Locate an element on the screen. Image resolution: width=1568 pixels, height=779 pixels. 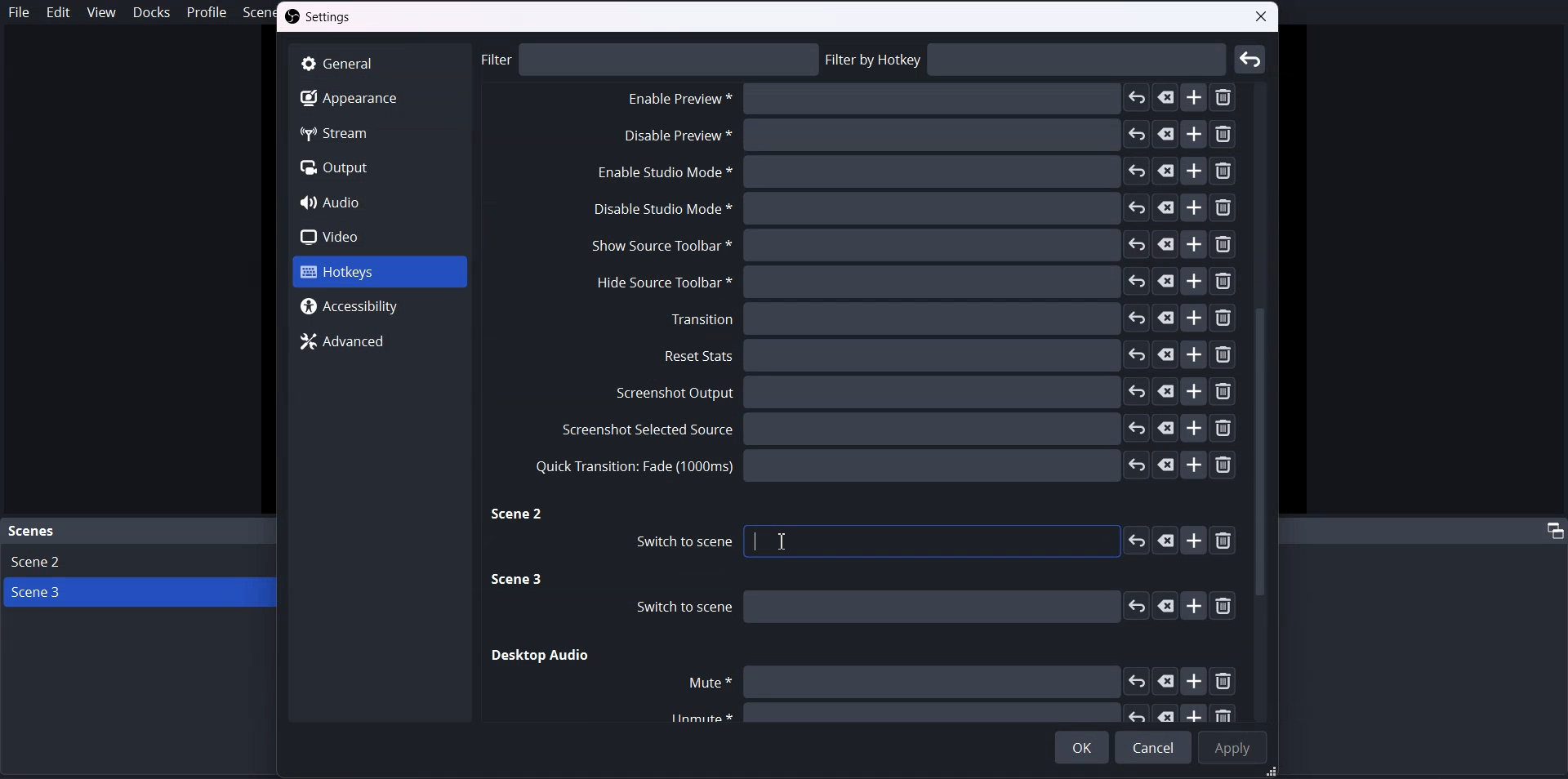
Reset stats is located at coordinates (951, 355).